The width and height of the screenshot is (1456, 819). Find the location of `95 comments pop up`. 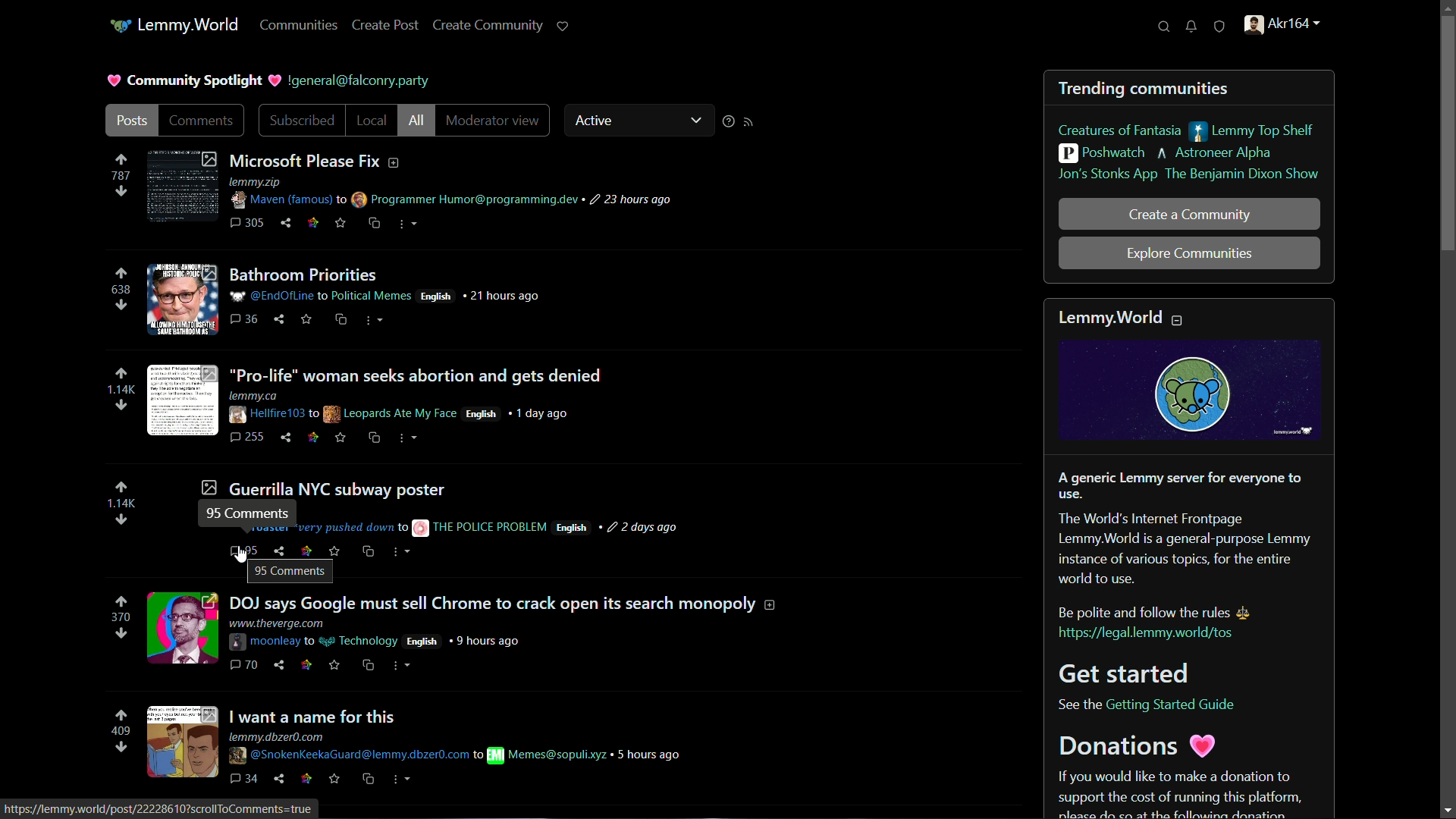

95 comments pop up is located at coordinates (290, 571).